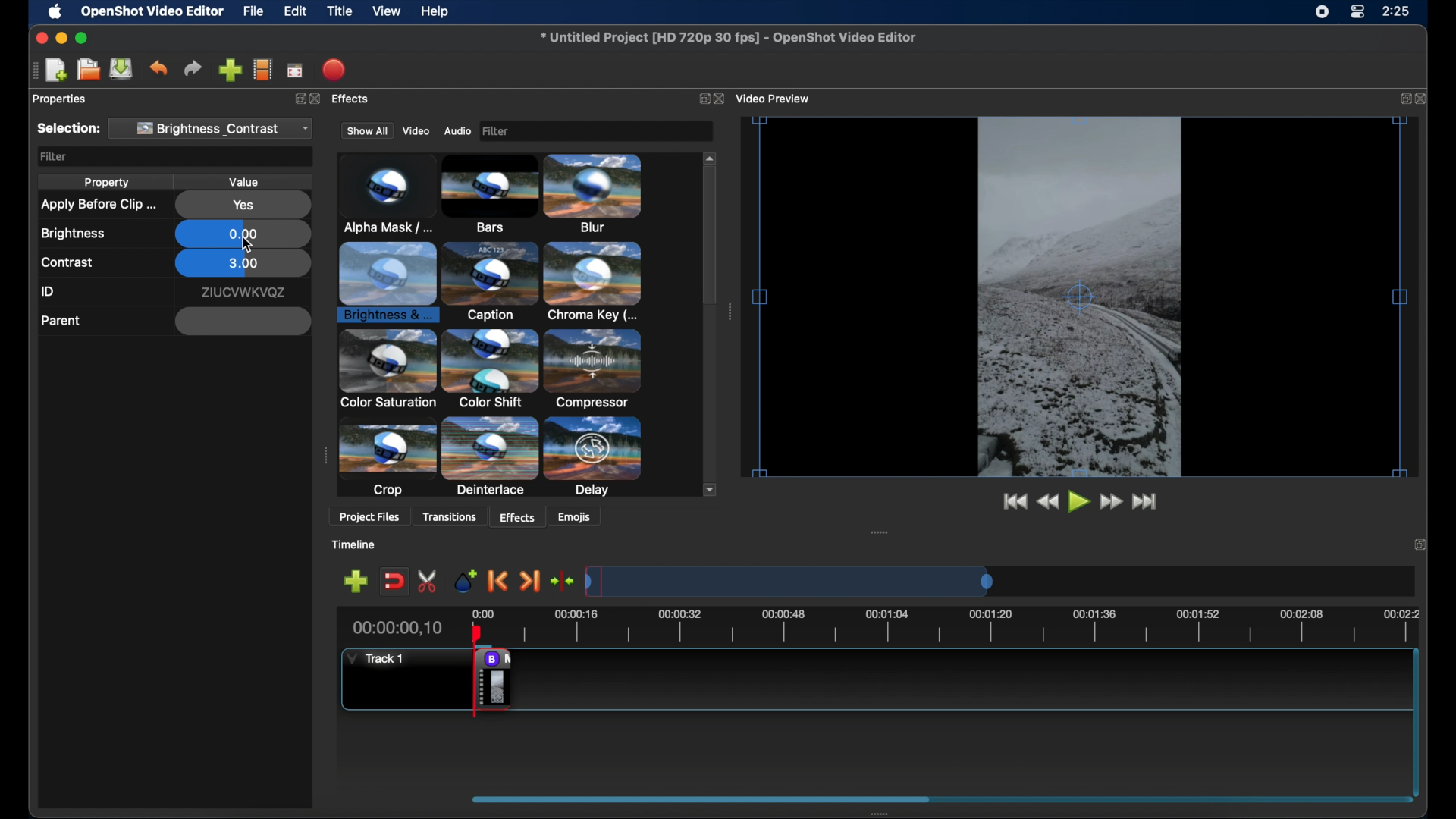  What do you see at coordinates (699, 98) in the screenshot?
I see `expand` at bounding box center [699, 98].